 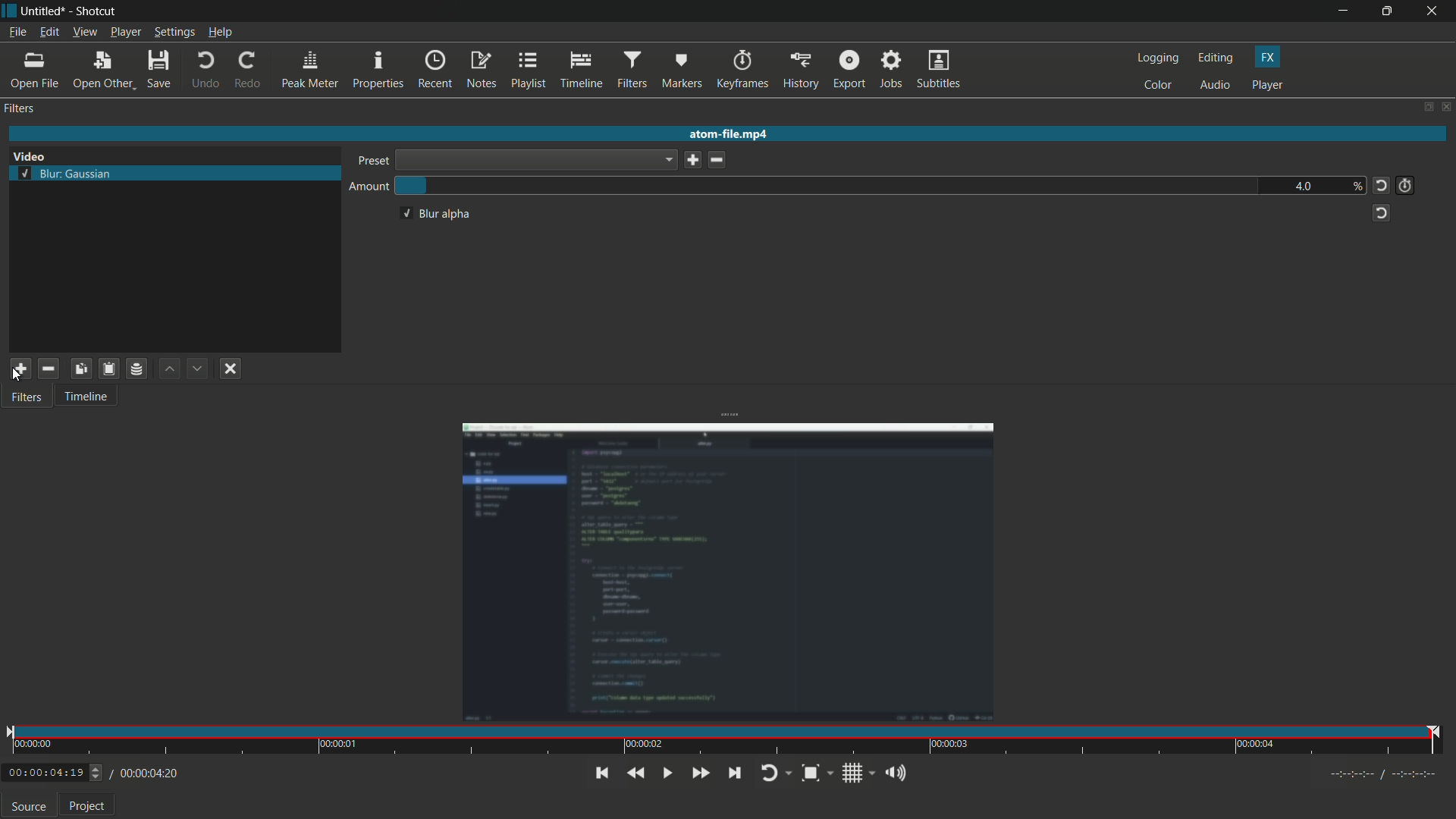 What do you see at coordinates (635, 773) in the screenshot?
I see `quickly play backward` at bounding box center [635, 773].